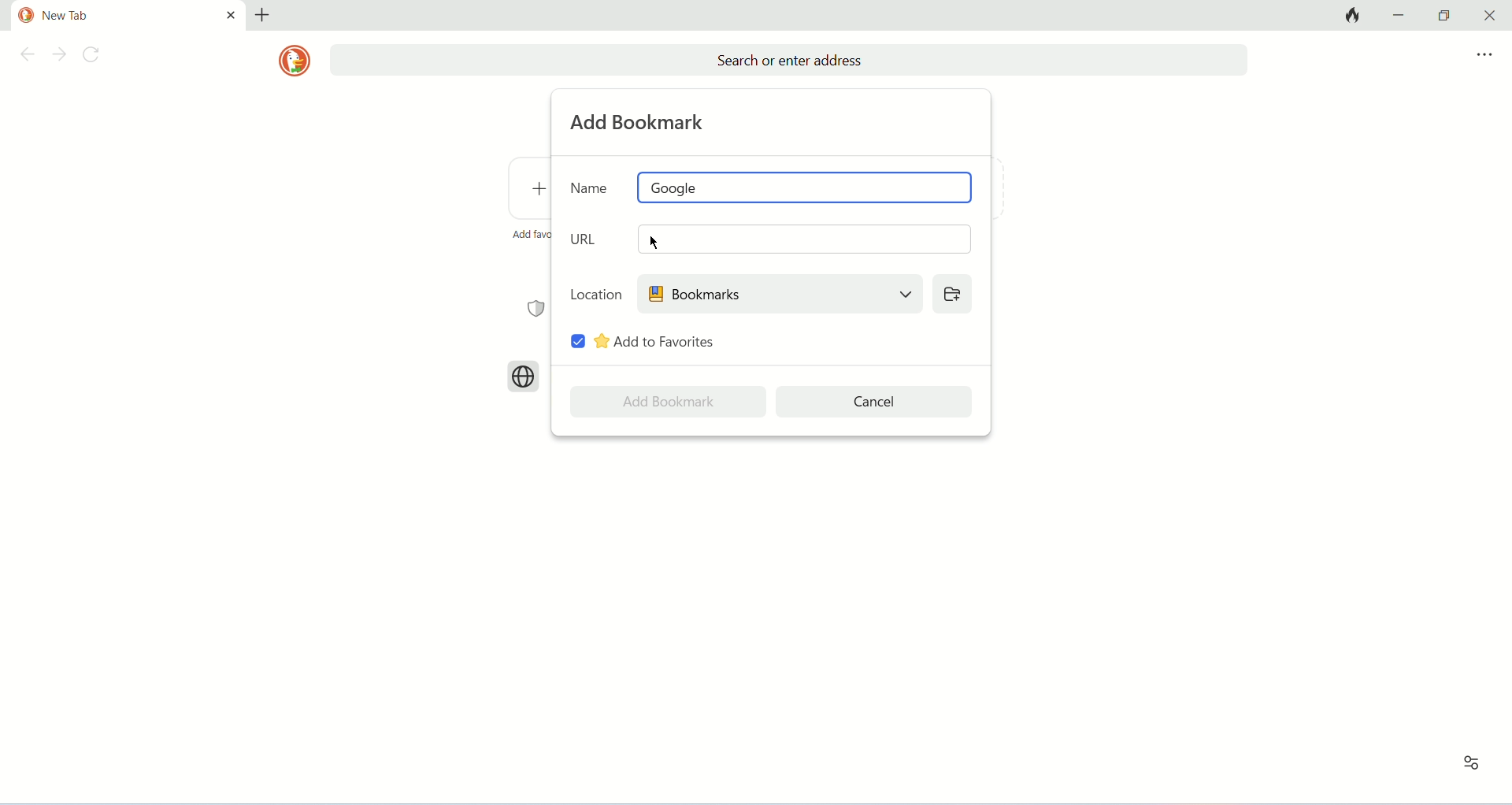 The image size is (1512, 805). Describe the element at coordinates (1472, 764) in the screenshot. I see `view option` at that location.